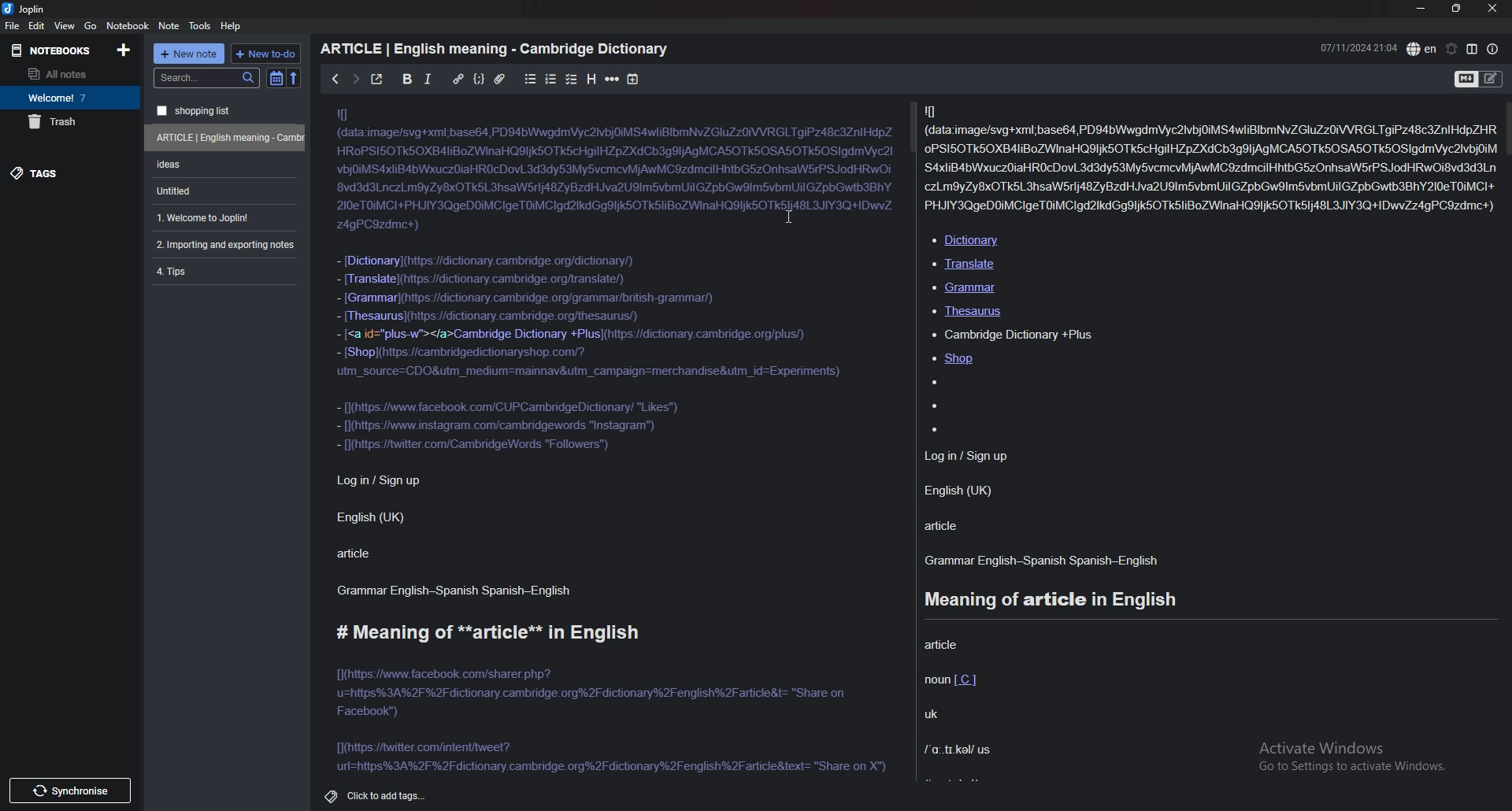  Describe the element at coordinates (389, 798) in the screenshot. I see `add tag` at that location.